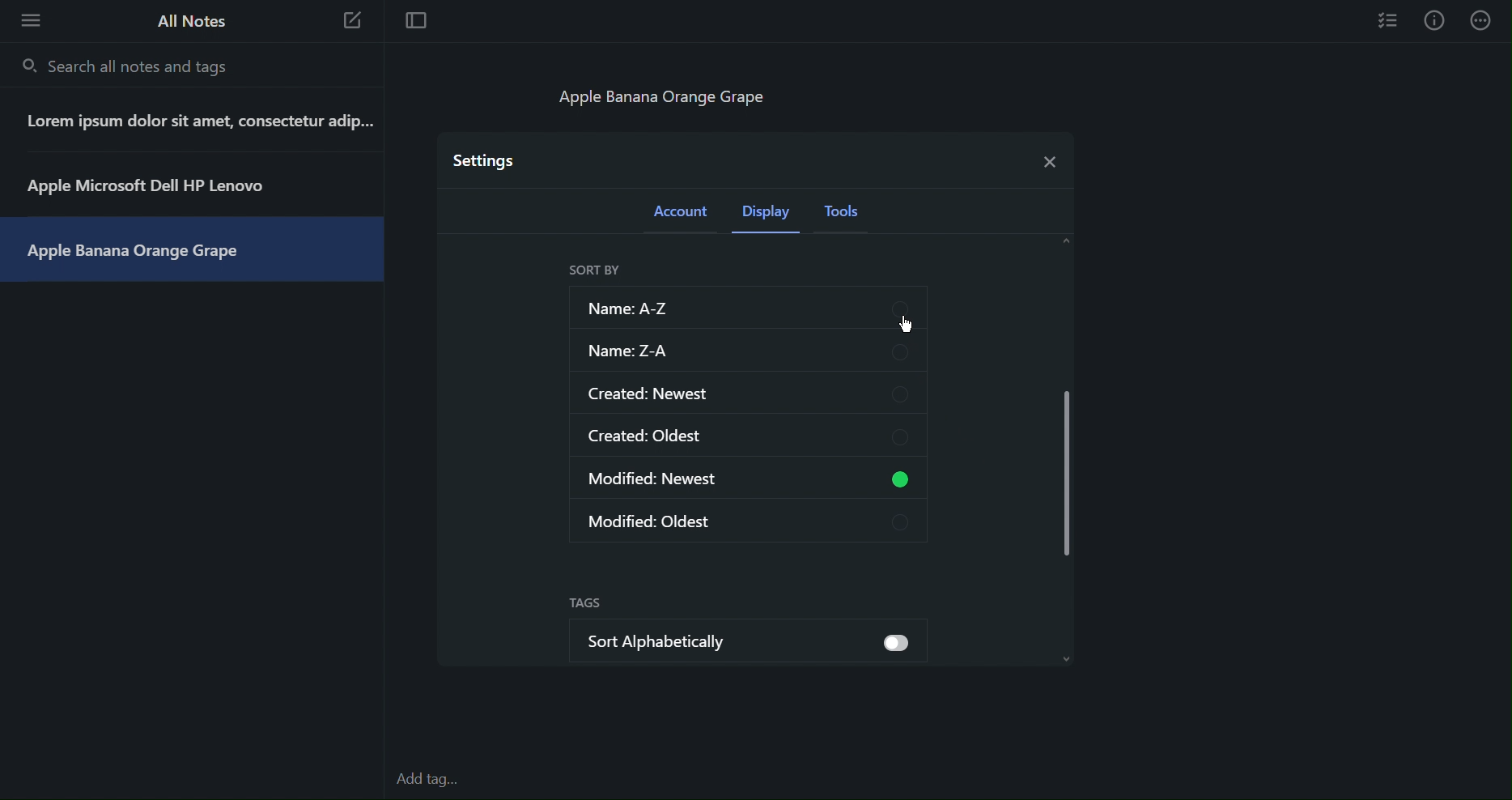 The height and width of the screenshot is (800, 1512). Describe the element at coordinates (156, 185) in the screenshot. I see `Apple Microsoft Dell HP Lenovo` at that location.